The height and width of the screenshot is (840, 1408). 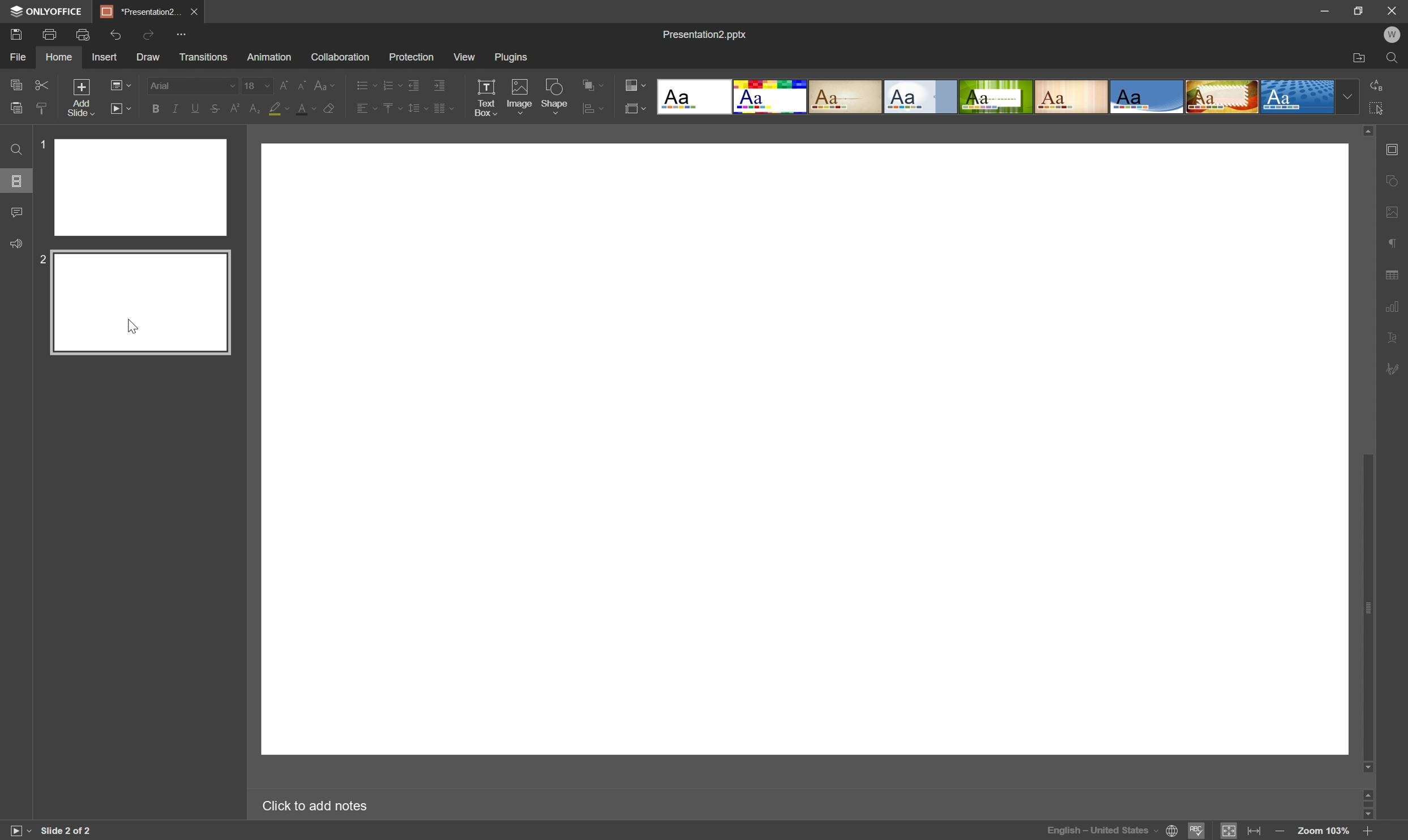 I want to click on Arrange shape, so click(x=596, y=108).